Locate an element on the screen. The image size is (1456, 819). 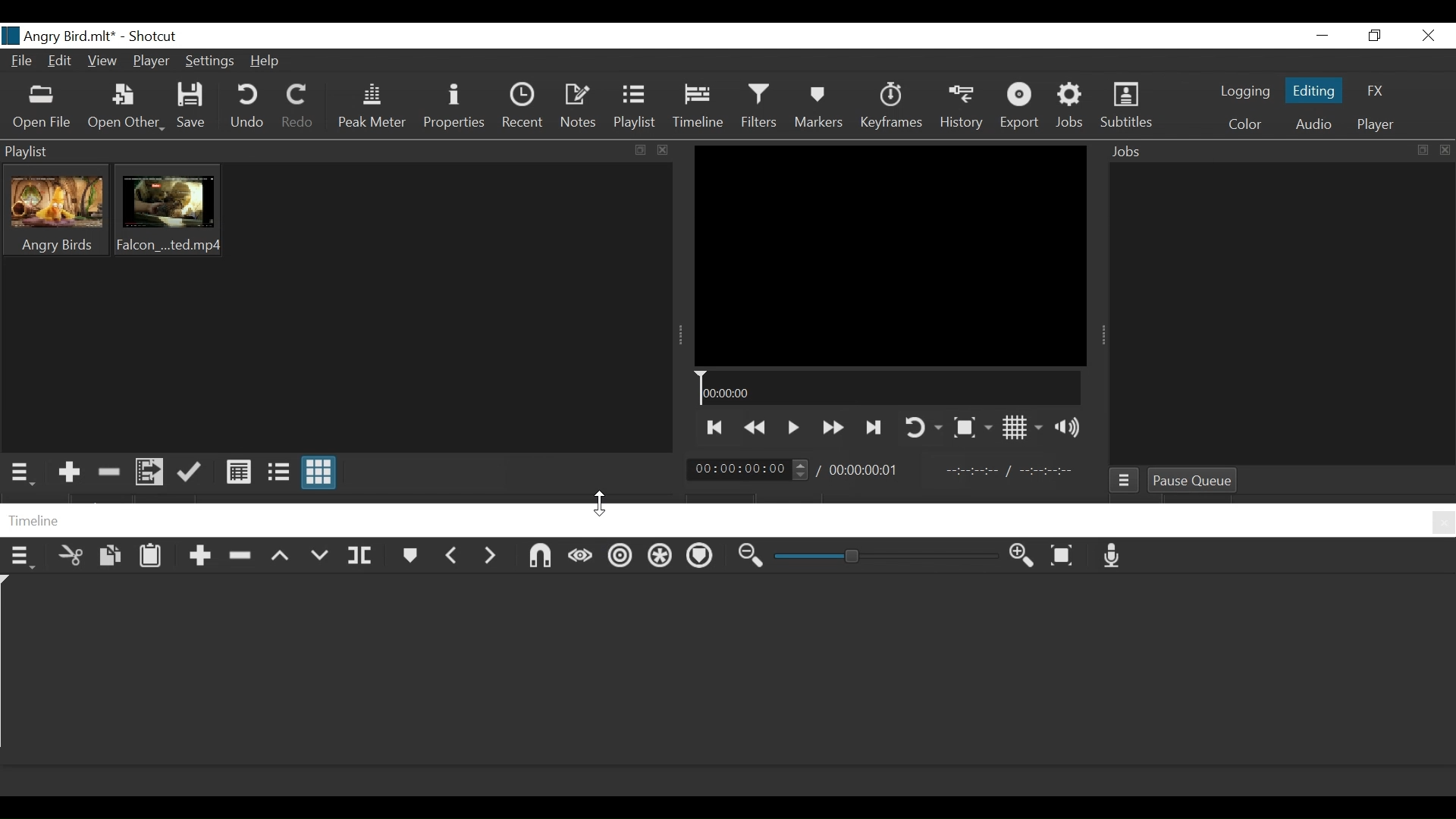
History is located at coordinates (961, 106).